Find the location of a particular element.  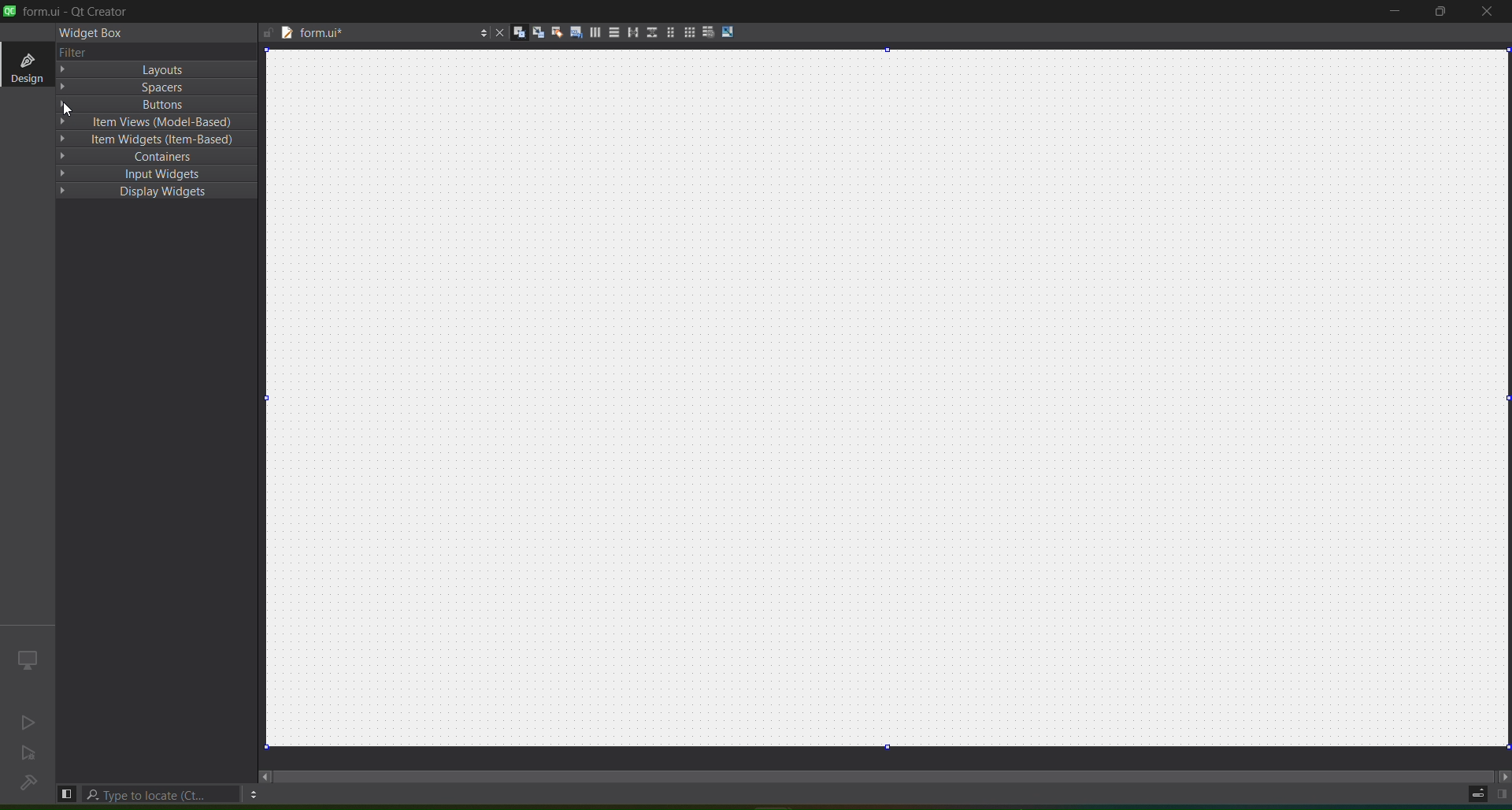

layout vertically is located at coordinates (612, 34).